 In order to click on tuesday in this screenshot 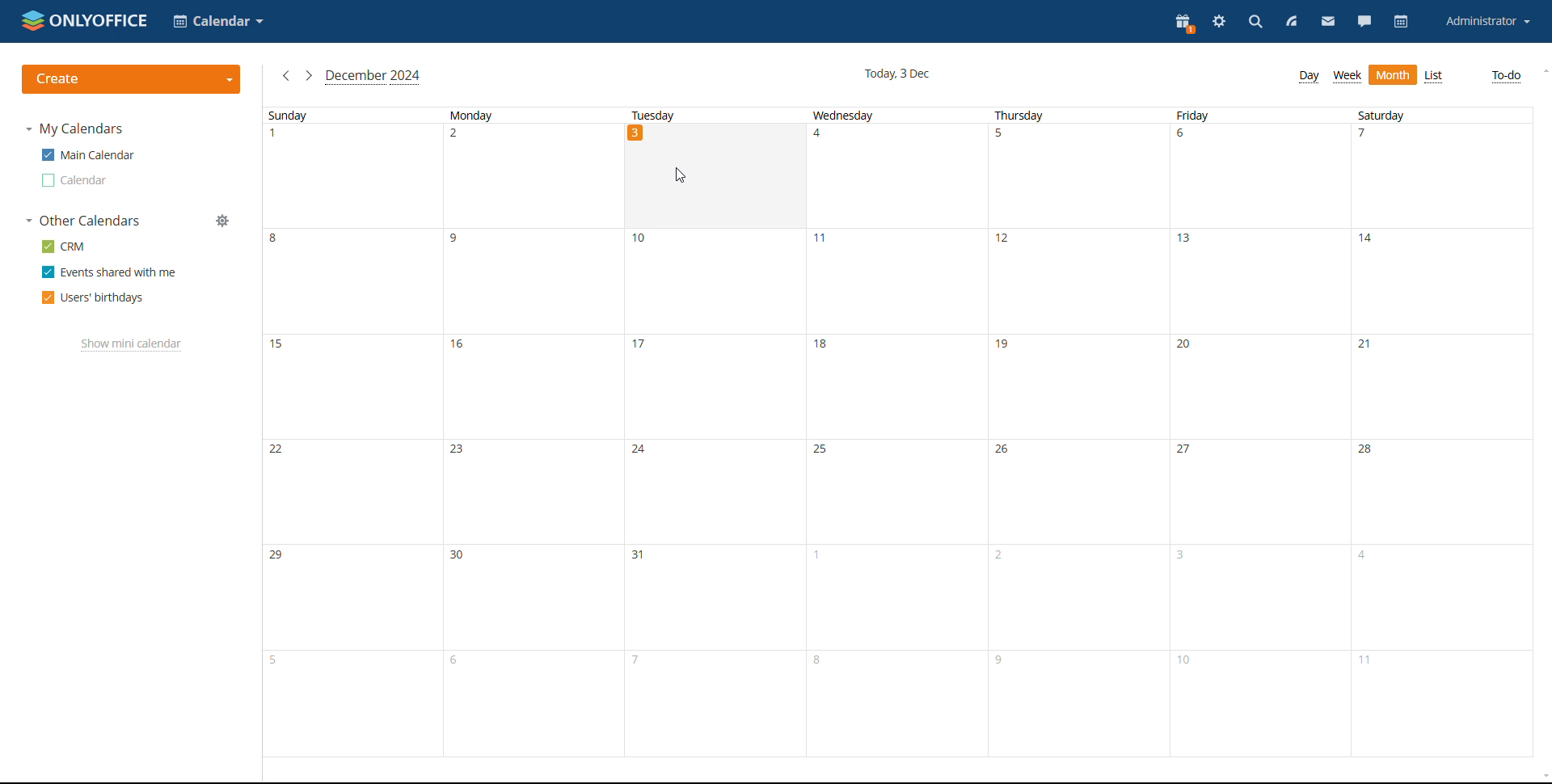, I will do `click(711, 432)`.